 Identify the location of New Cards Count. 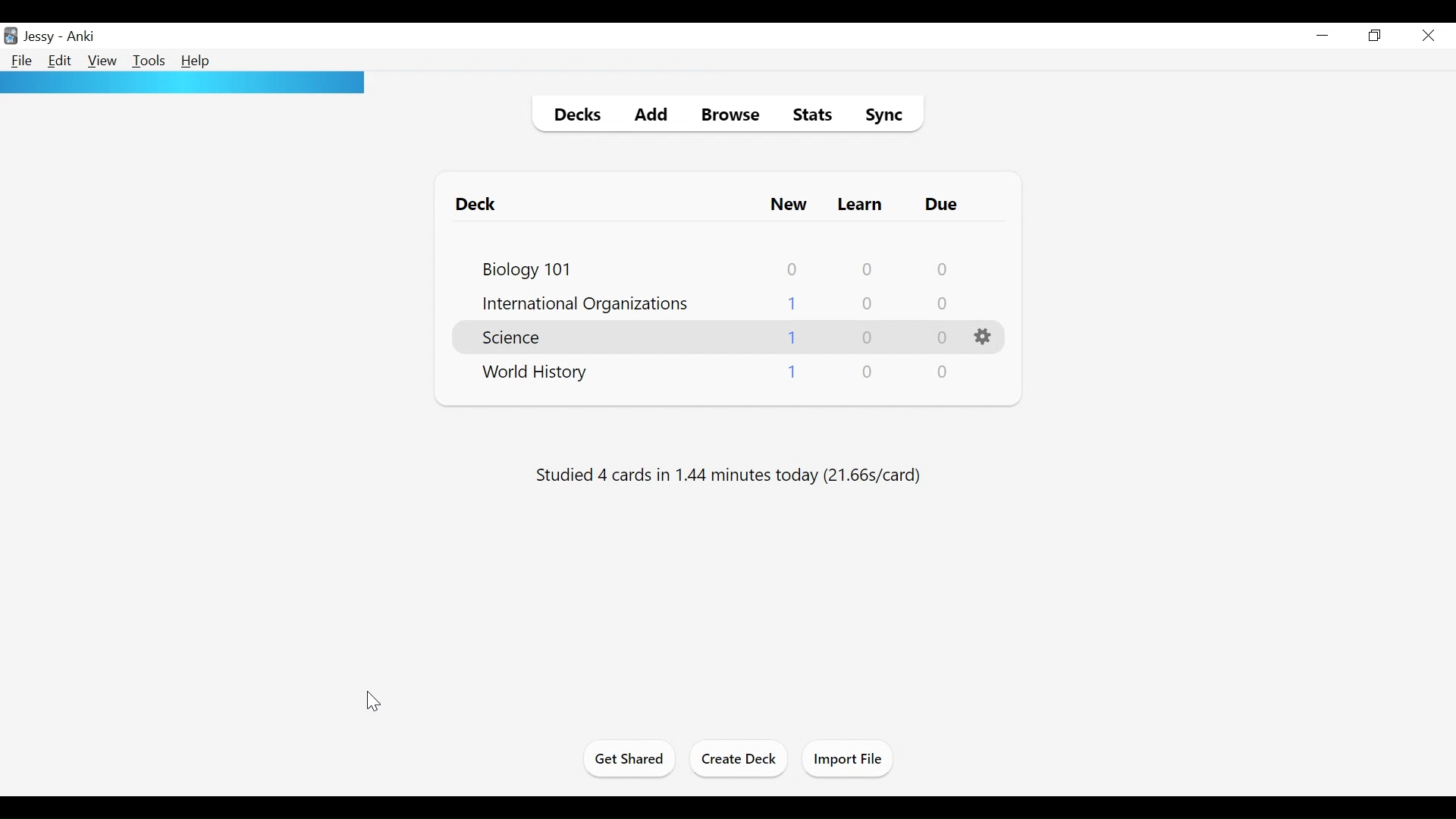
(793, 304).